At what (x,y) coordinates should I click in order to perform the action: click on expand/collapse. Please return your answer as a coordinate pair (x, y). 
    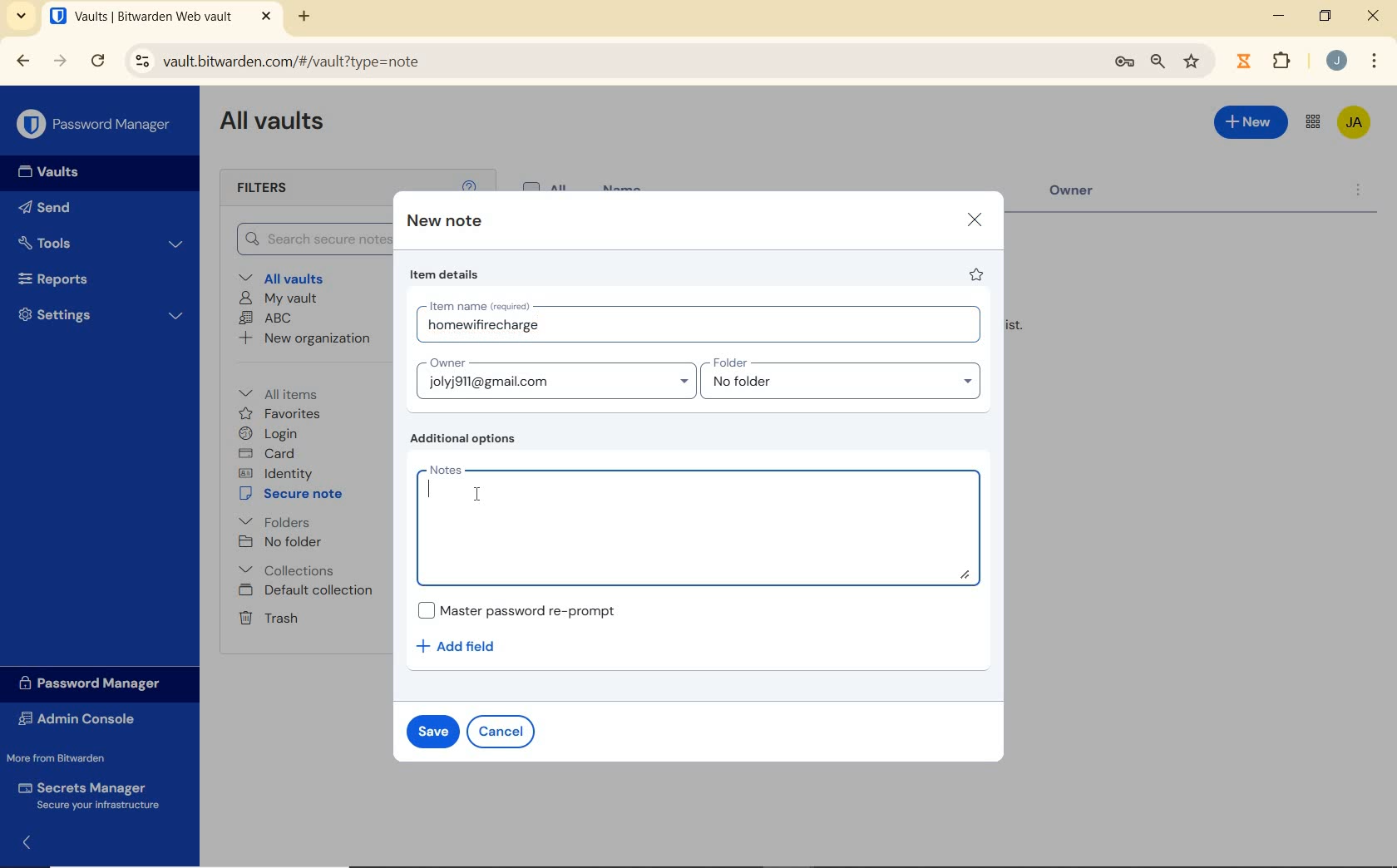
    Looking at the image, I should click on (22, 846).